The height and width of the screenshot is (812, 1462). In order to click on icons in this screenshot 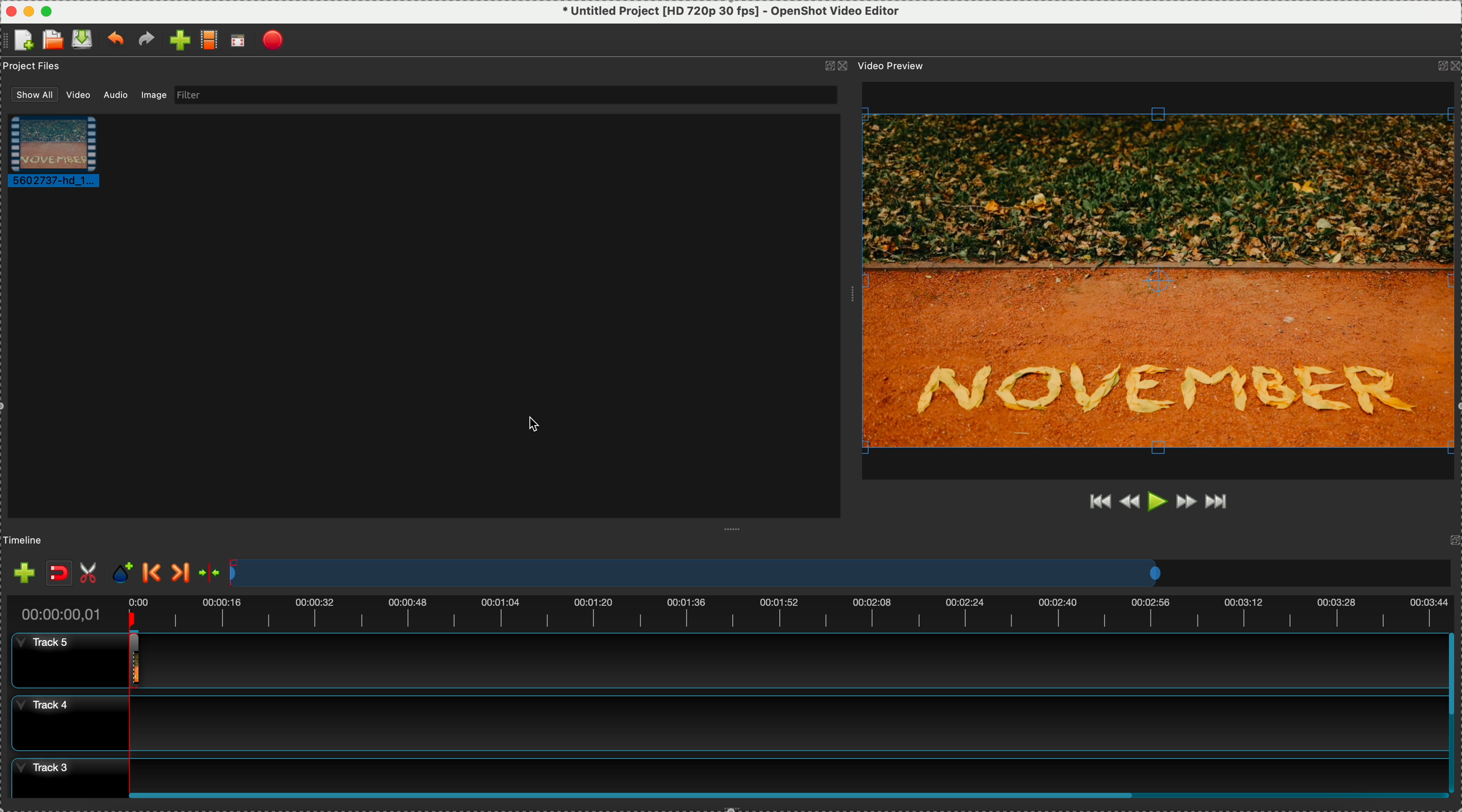, I will do `click(835, 66)`.